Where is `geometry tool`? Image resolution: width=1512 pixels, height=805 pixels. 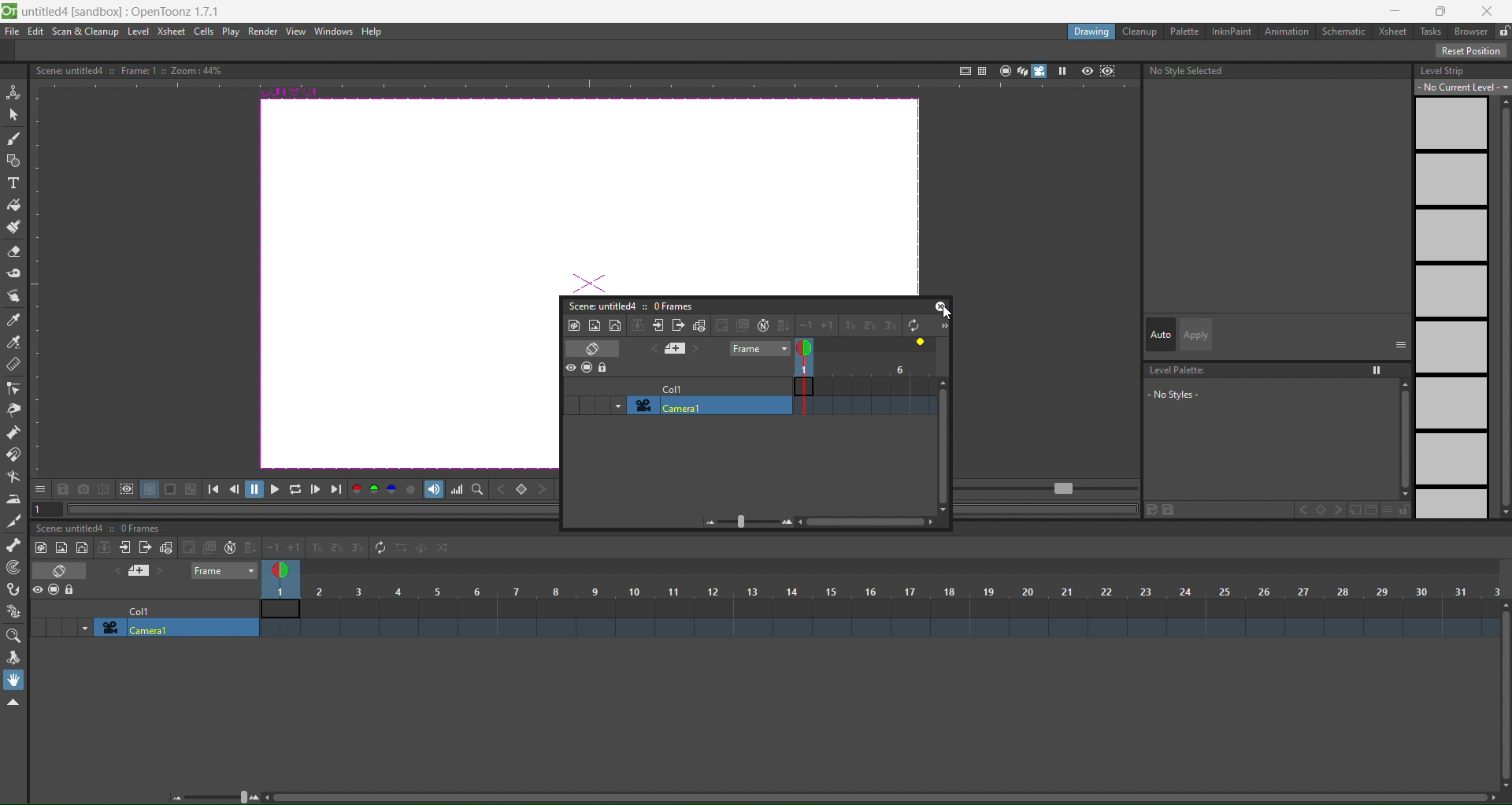 geometry tool is located at coordinates (14, 162).